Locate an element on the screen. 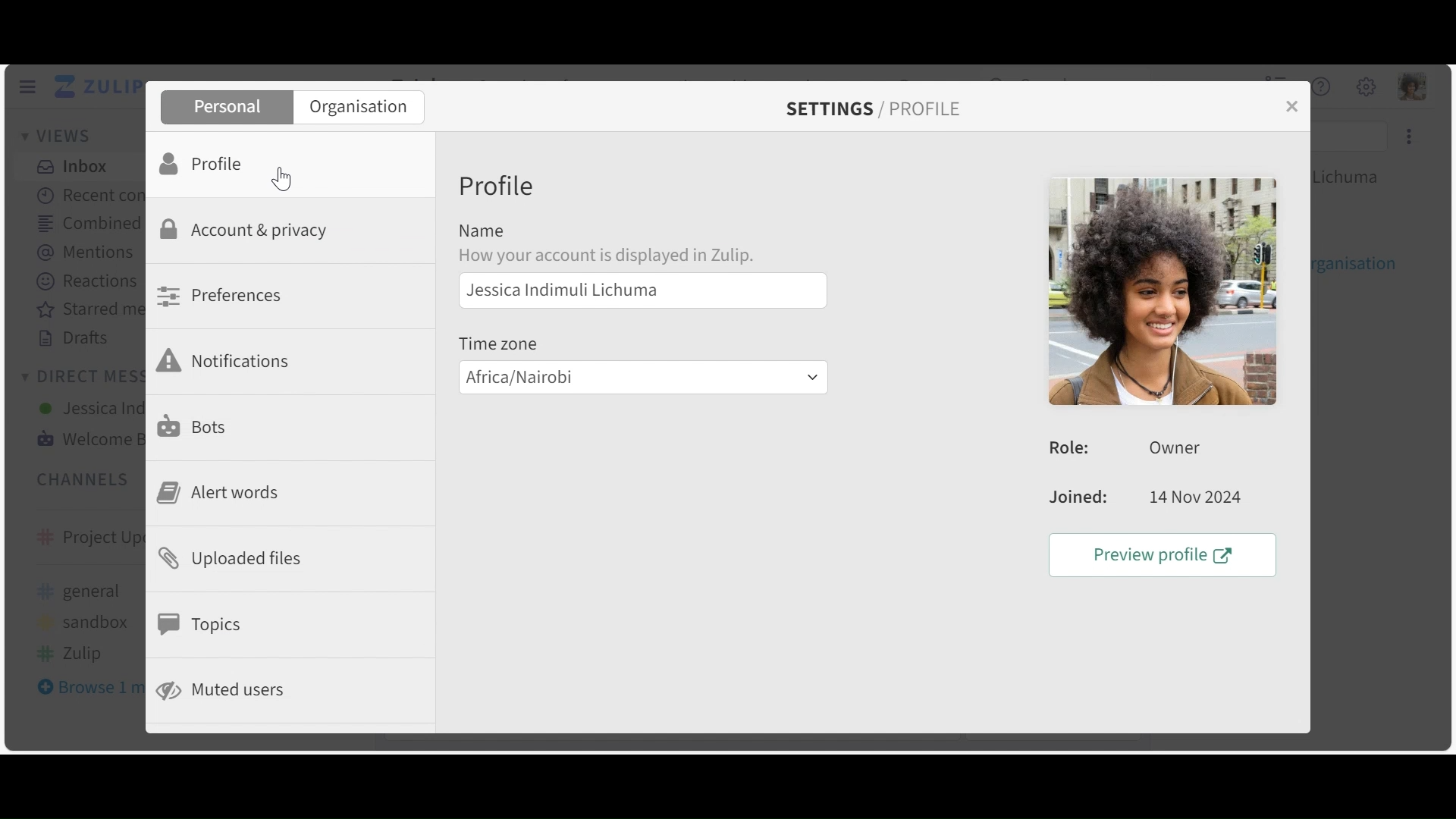 The width and height of the screenshot is (1456, 819). cursor is located at coordinates (283, 180).